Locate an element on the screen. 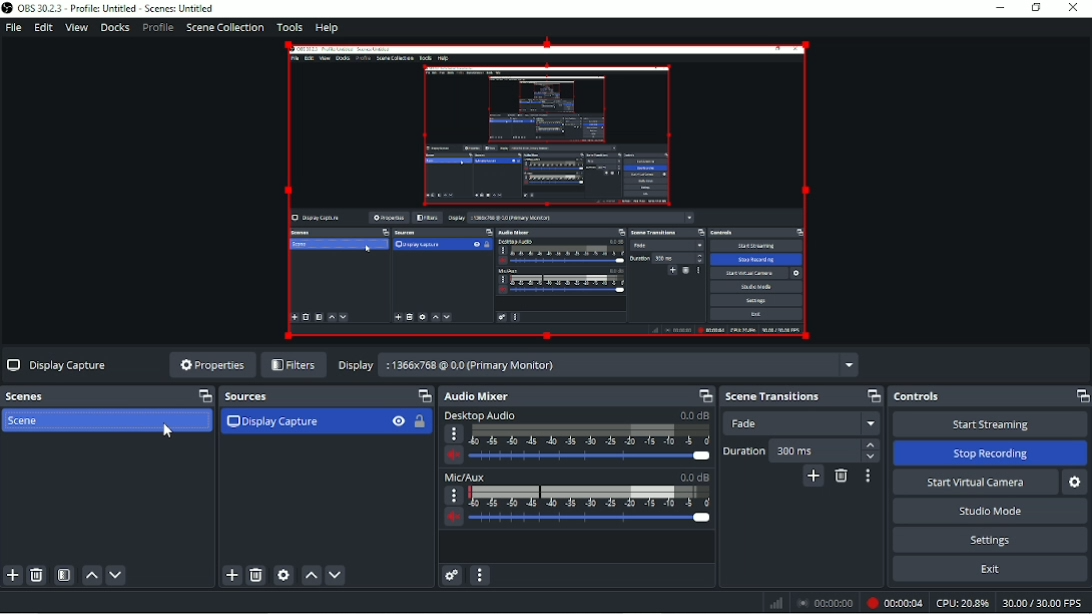  Fade is located at coordinates (805, 424).